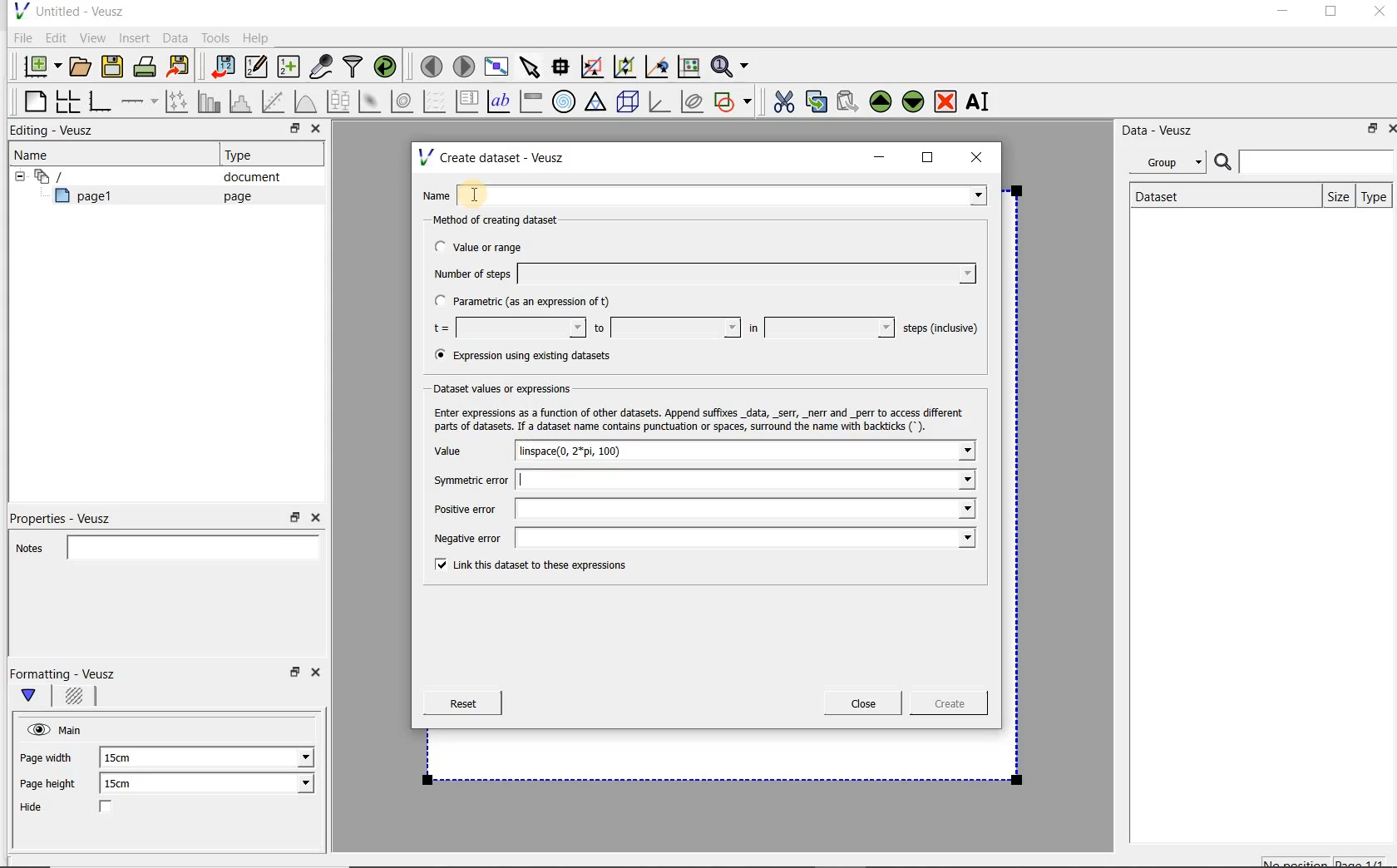 The image size is (1397, 868). I want to click on Negative error , so click(700, 540).